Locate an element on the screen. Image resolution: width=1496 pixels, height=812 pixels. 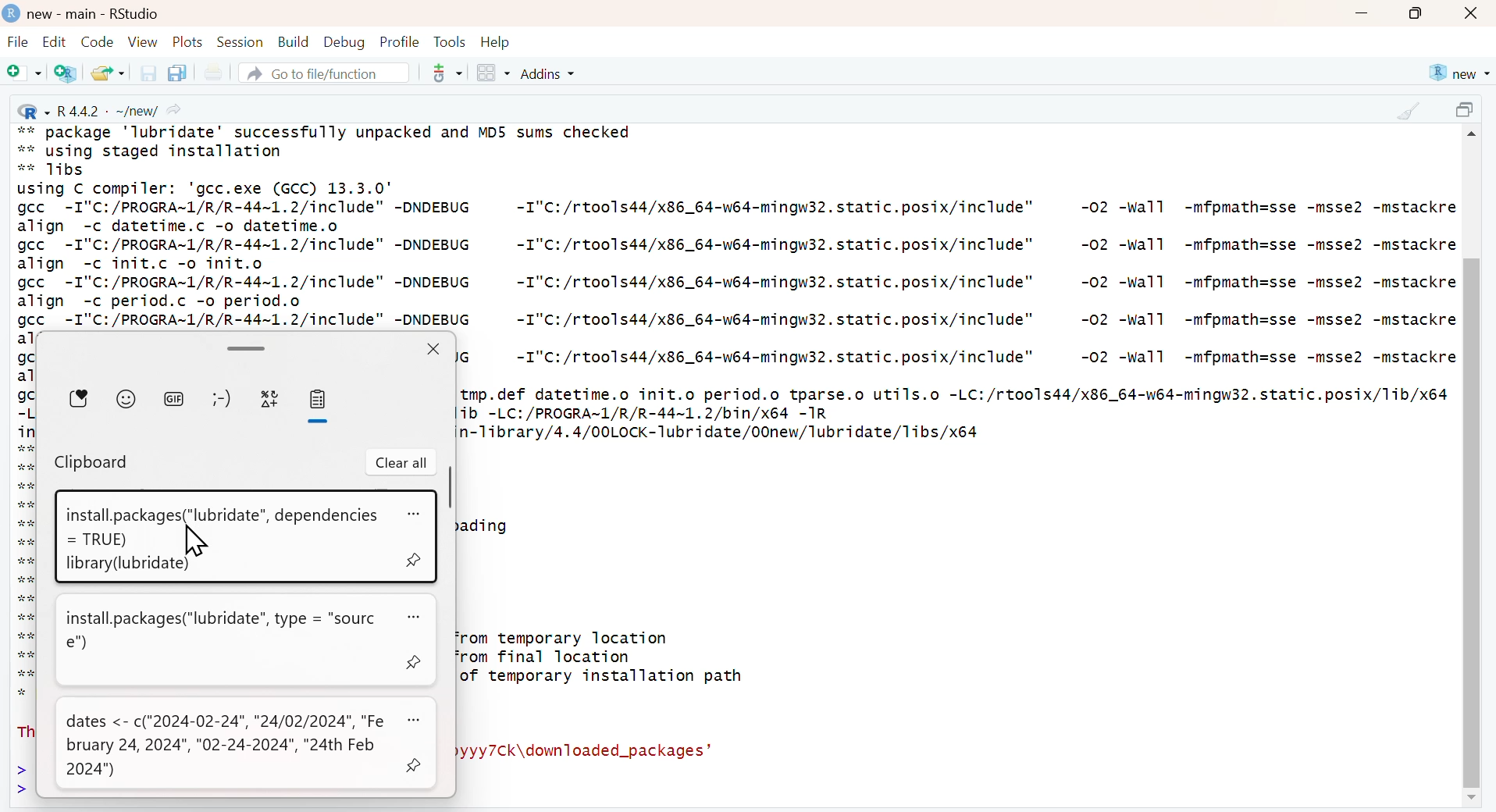
open an existing file is located at coordinates (107, 72).